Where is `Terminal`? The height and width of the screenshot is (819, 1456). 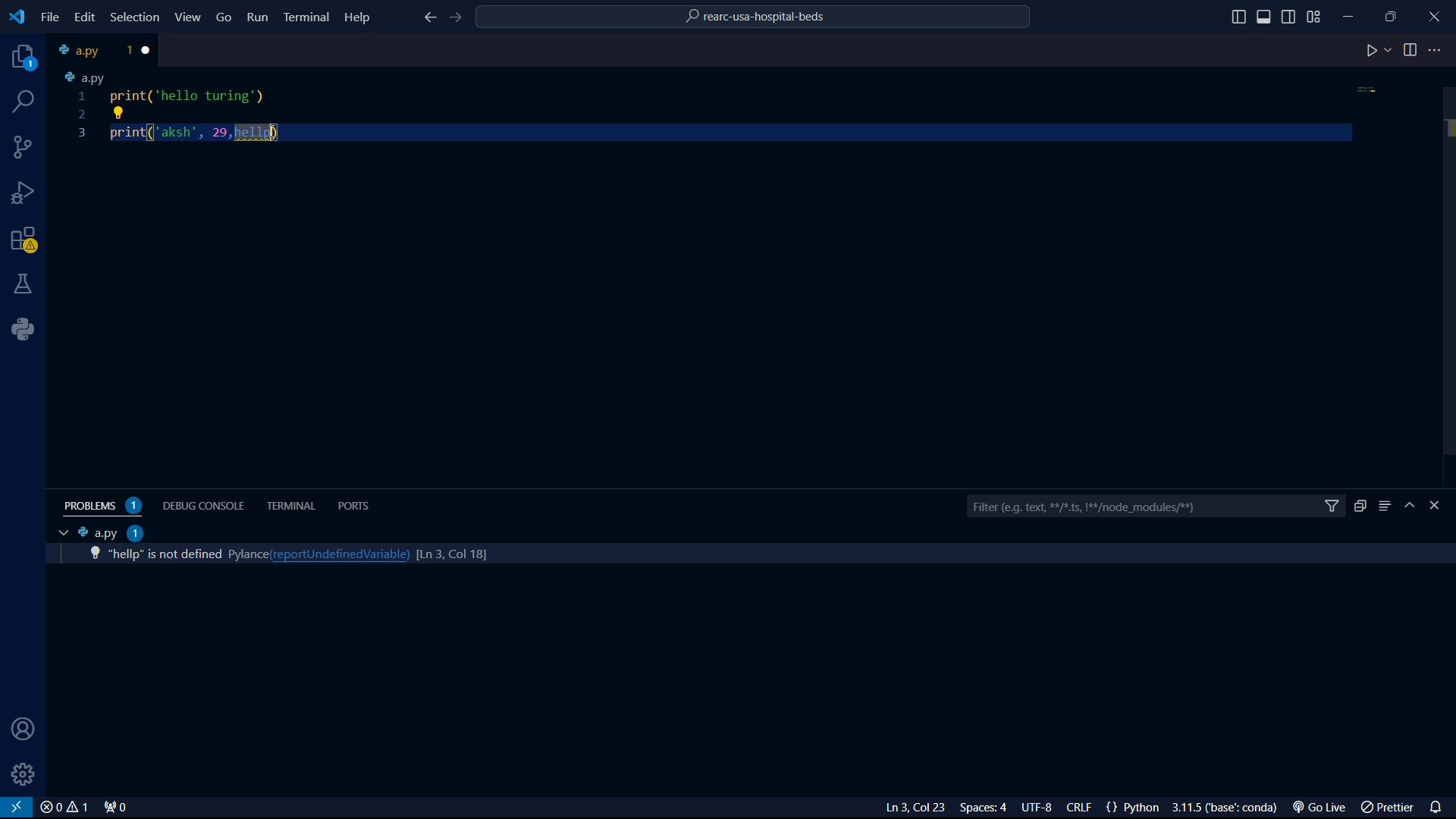
Terminal is located at coordinates (306, 16).